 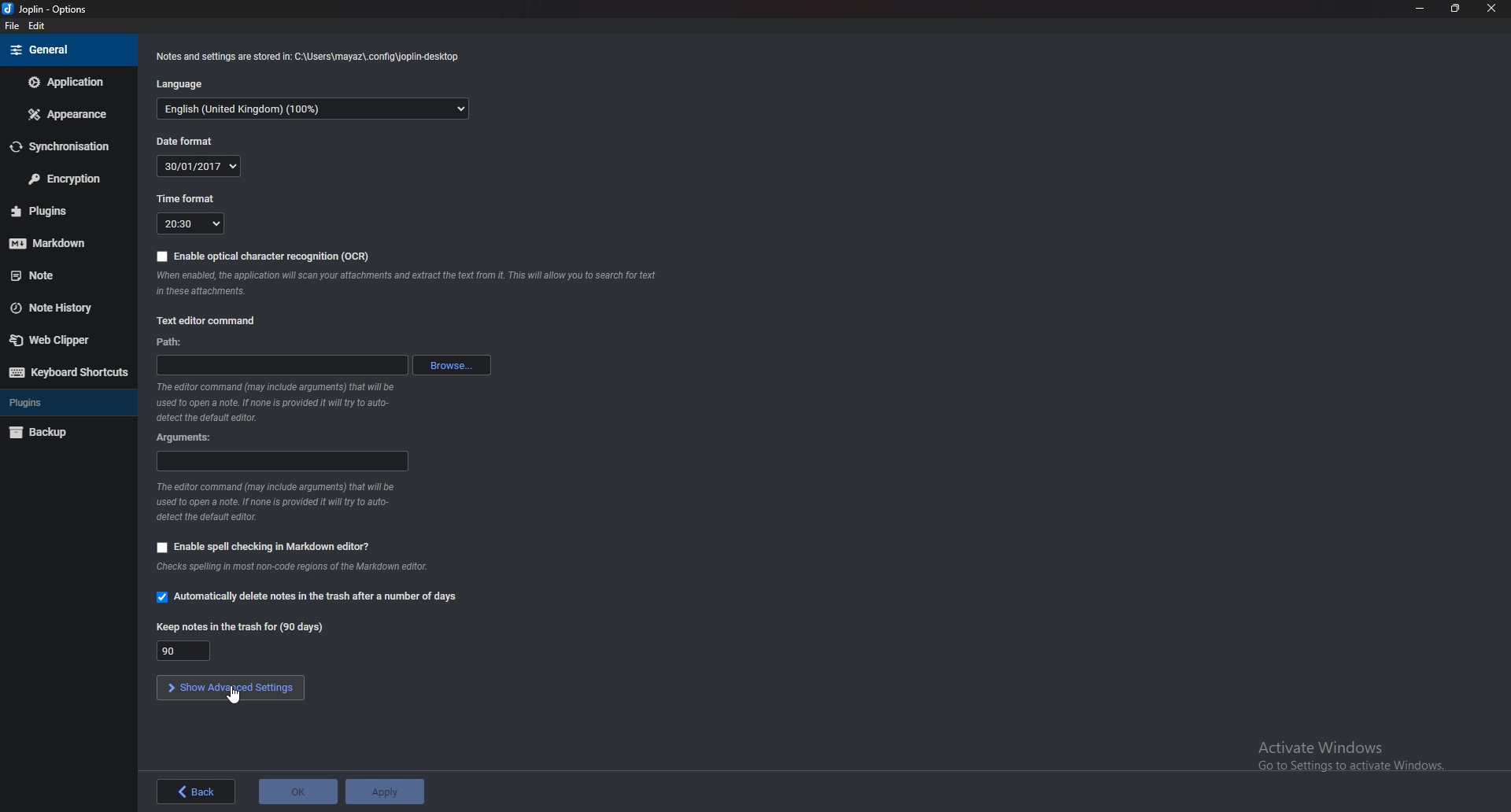 I want to click on path, so click(x=282, y=364).